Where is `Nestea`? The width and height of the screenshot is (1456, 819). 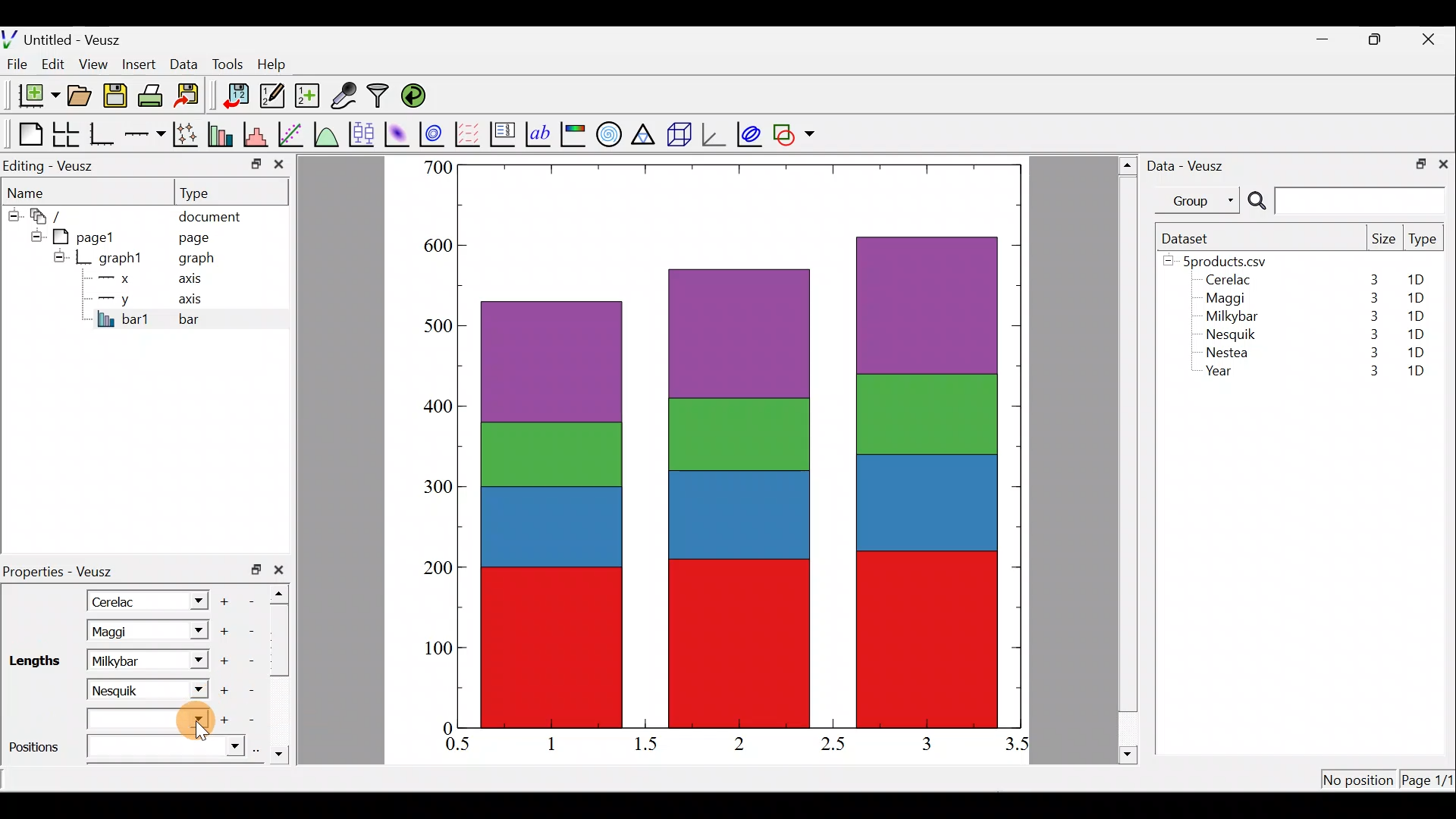
Nestea is located at coordinates (1228, 353).